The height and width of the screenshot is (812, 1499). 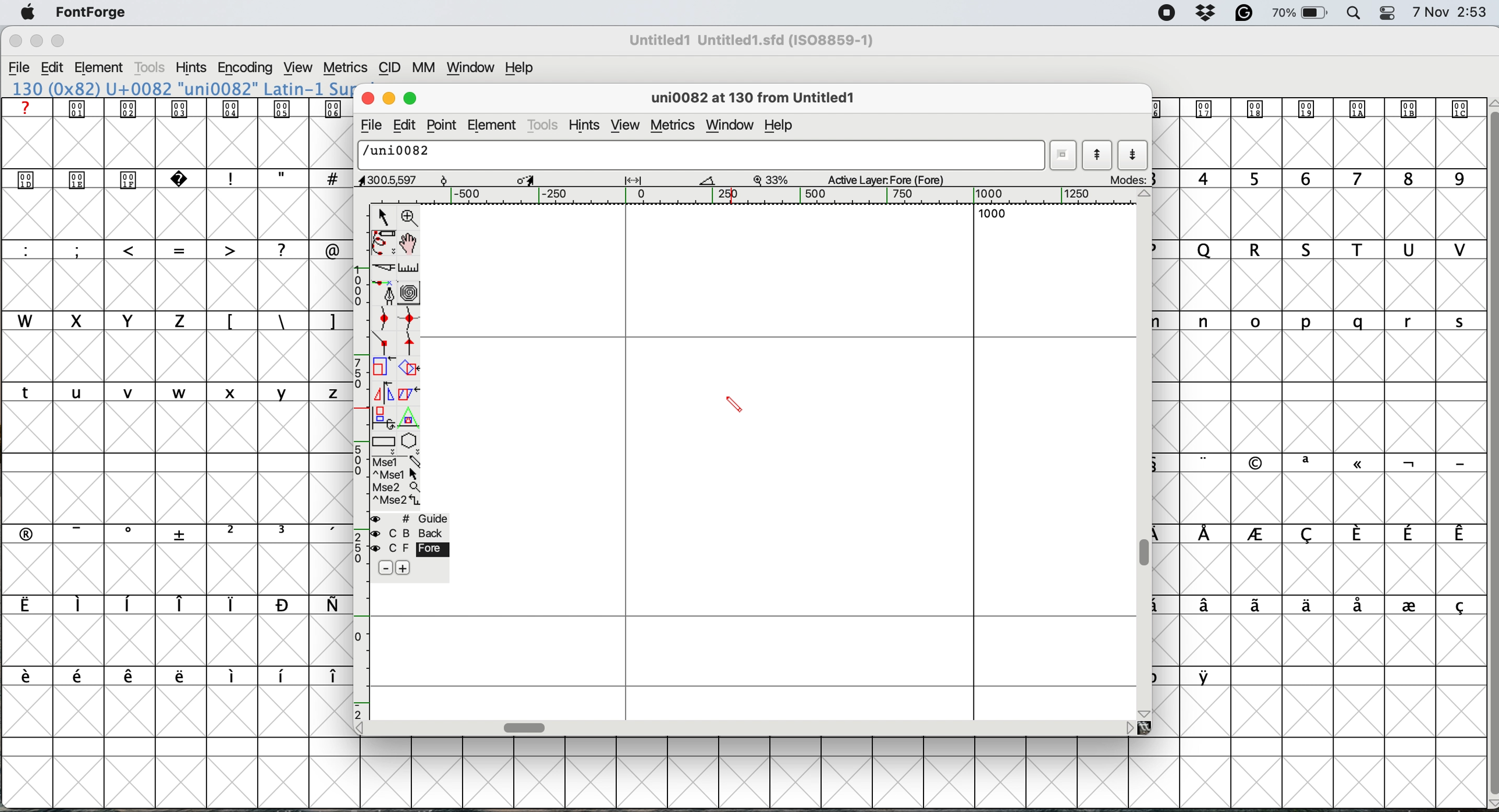 What do you see at coordinates (1355, 13) in the screenshot?
I see `spotlight search` at bounding box center [1355, 13].